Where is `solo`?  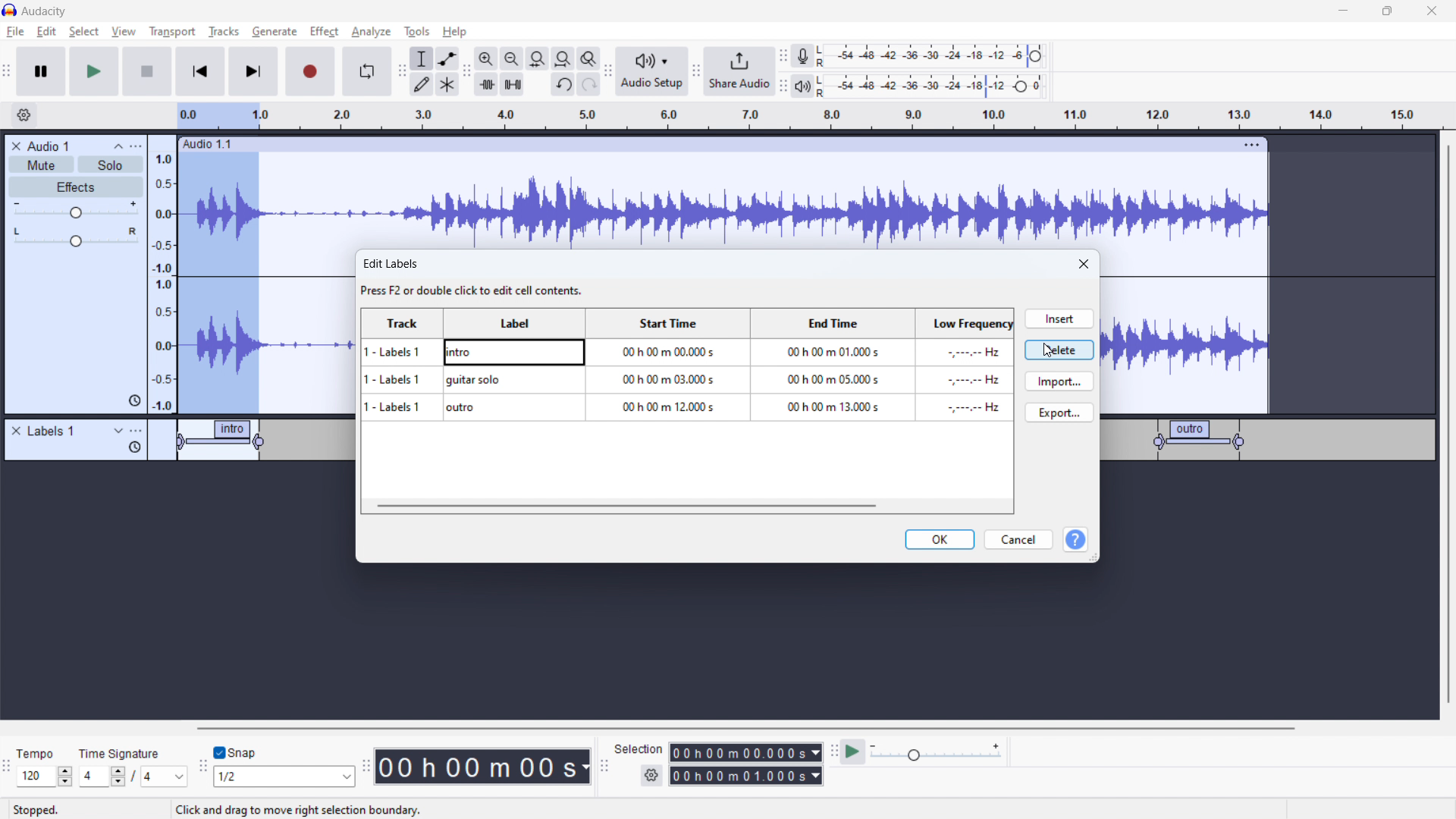
solo is located at coordinates (111, 165).